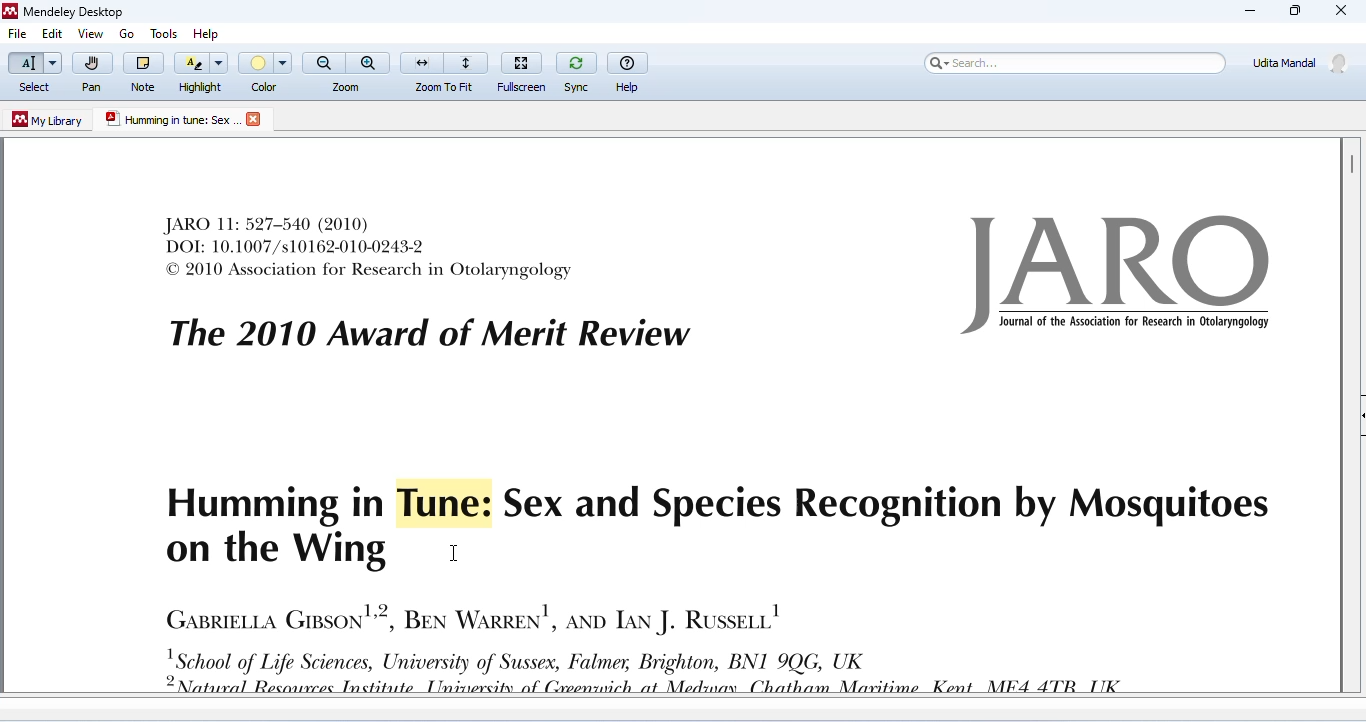 The image size is (1366, 722). I want to click on help, so click(211, 30).